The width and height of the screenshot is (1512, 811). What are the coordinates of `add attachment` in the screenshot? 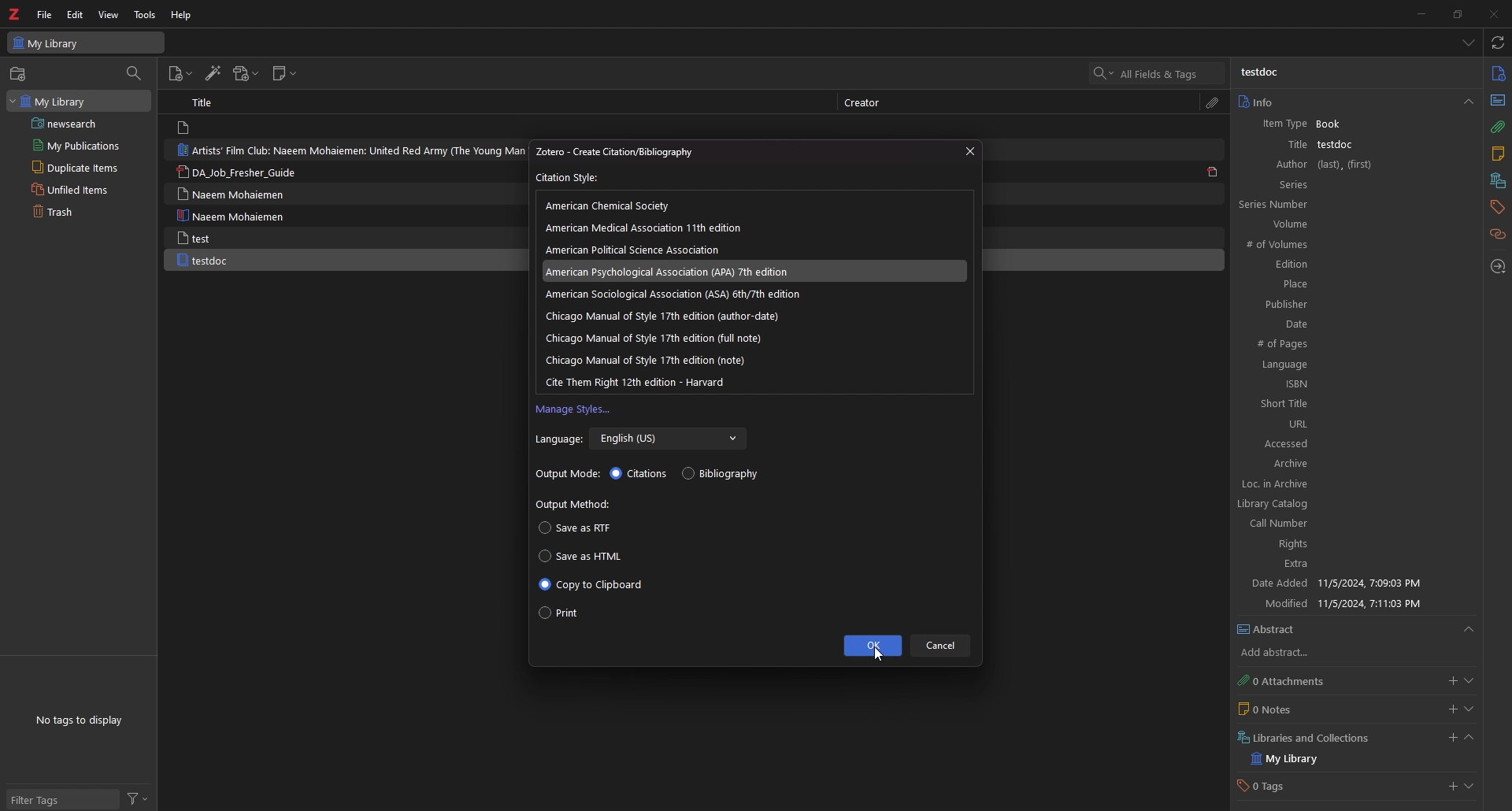 It's located at (1450, 681).